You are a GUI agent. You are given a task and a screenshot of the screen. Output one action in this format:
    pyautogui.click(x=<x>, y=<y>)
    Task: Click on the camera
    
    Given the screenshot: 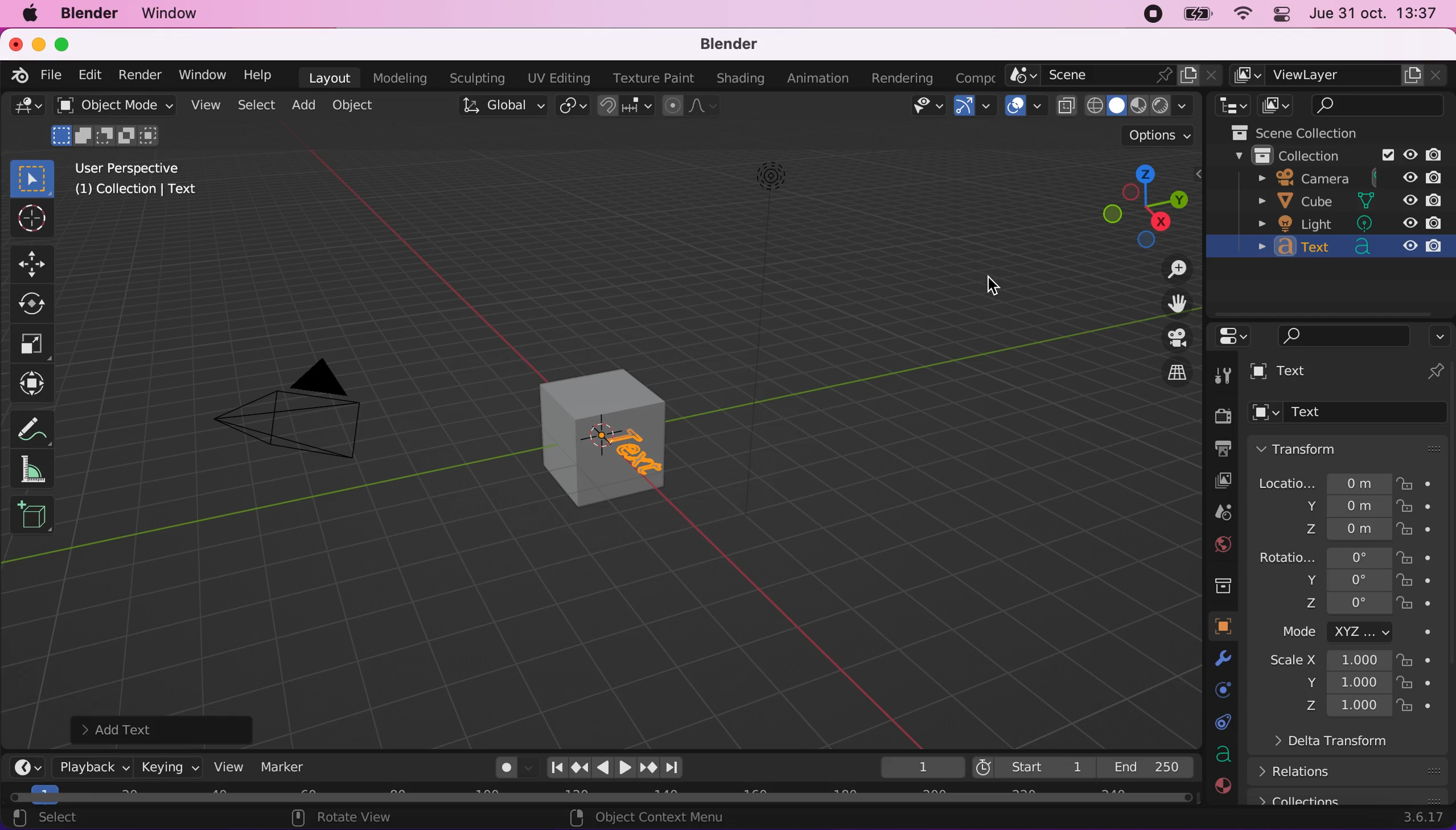 What is the action you would take?
    pyautogui.click(x=299, y=405)
    